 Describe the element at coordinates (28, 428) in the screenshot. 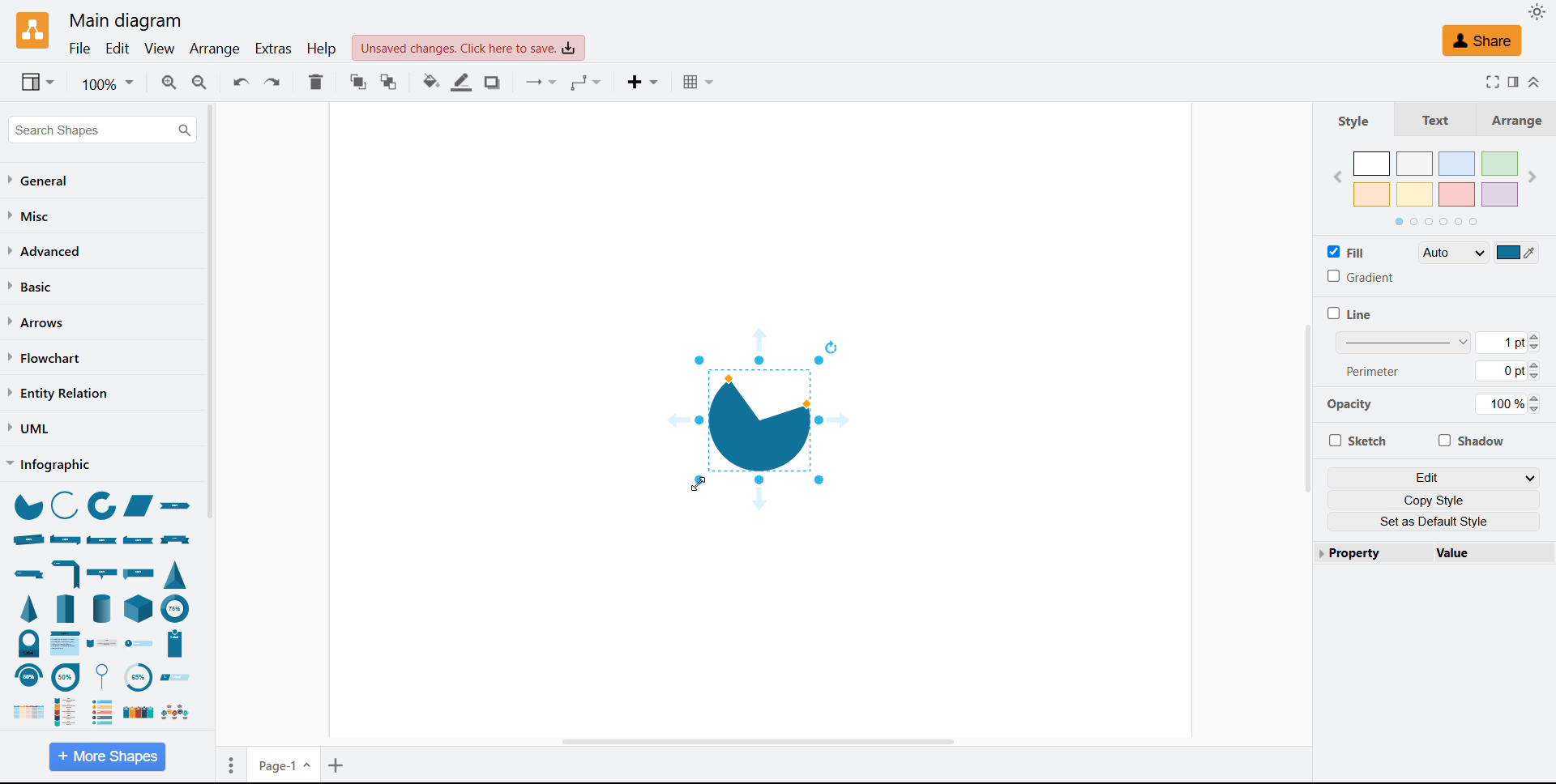

I see `UML ` at that location.